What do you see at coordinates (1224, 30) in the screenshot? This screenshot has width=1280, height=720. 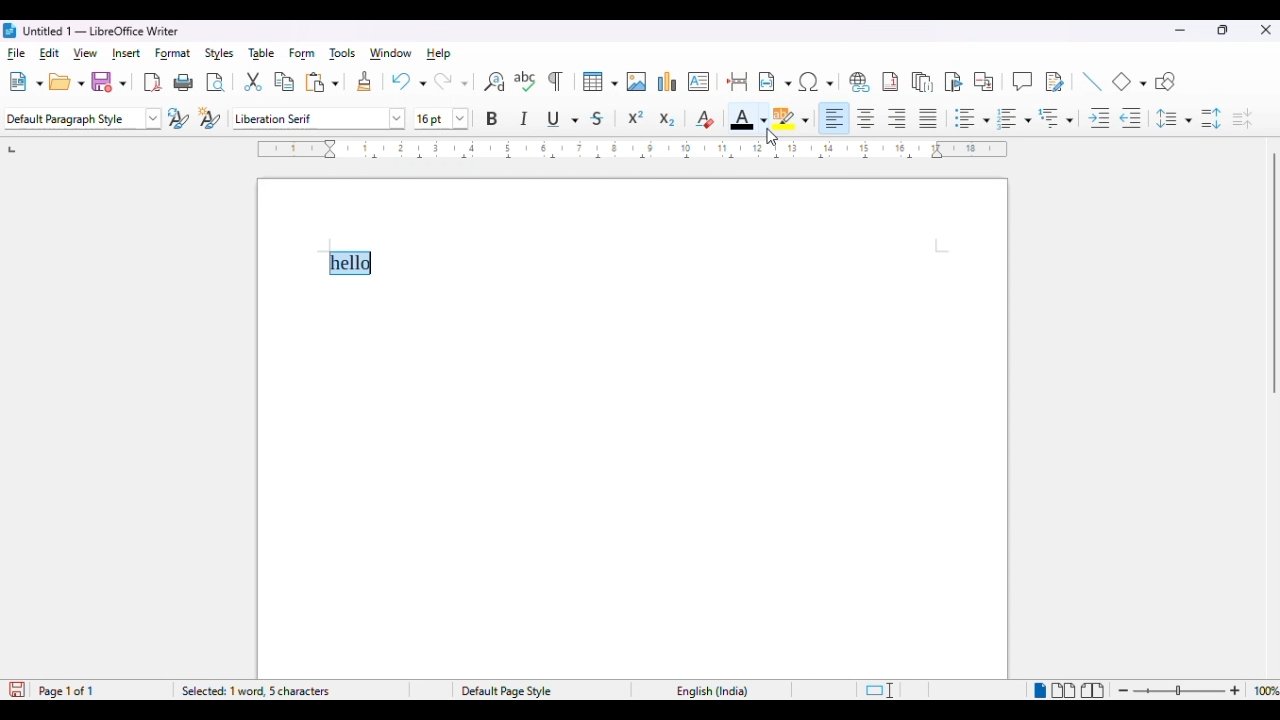 I see `maximize` at bounding box center [1224, 30].